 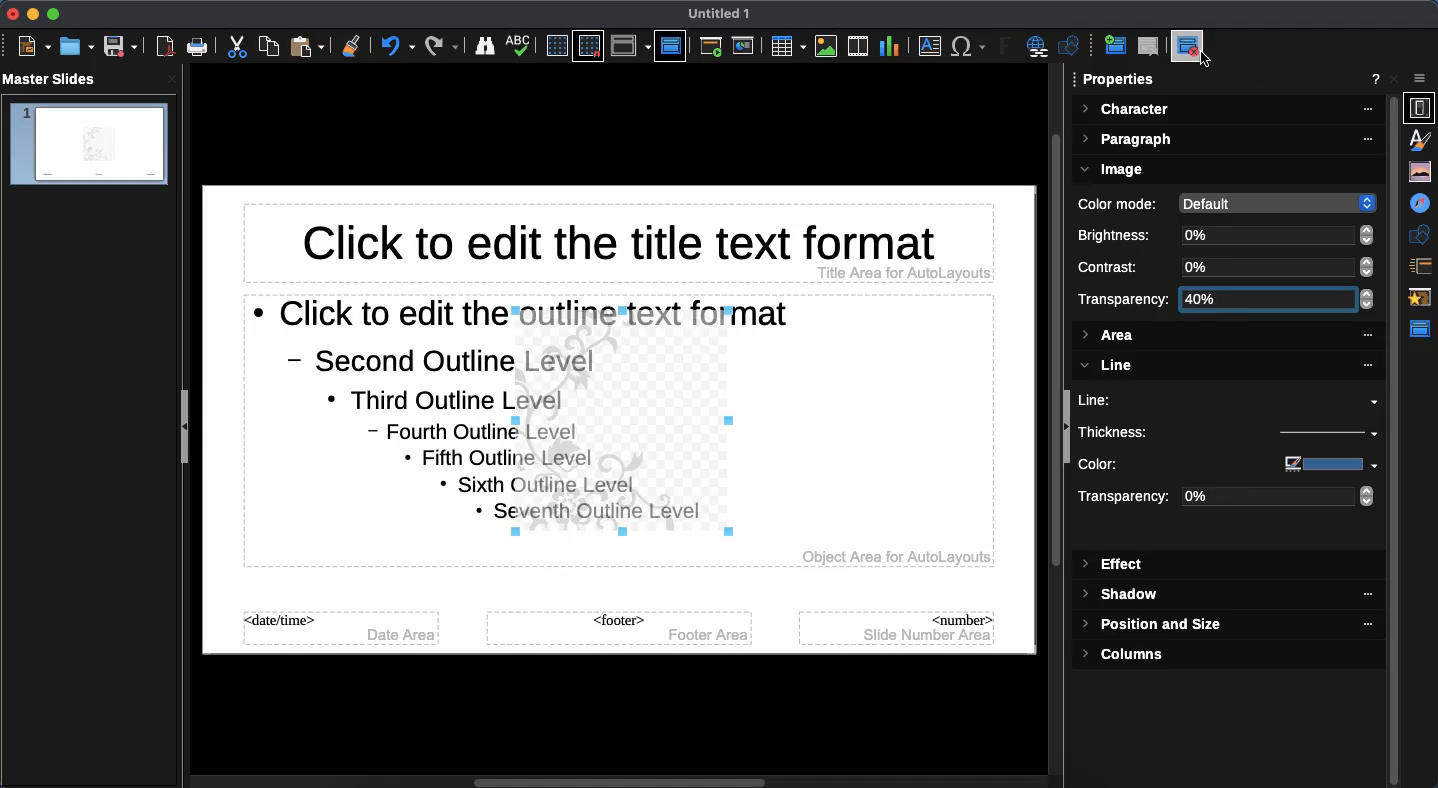 What do you see at coordinates (167, 49) in the screenshot?
I see `Save as PDF` at bounding box center [167, 49].